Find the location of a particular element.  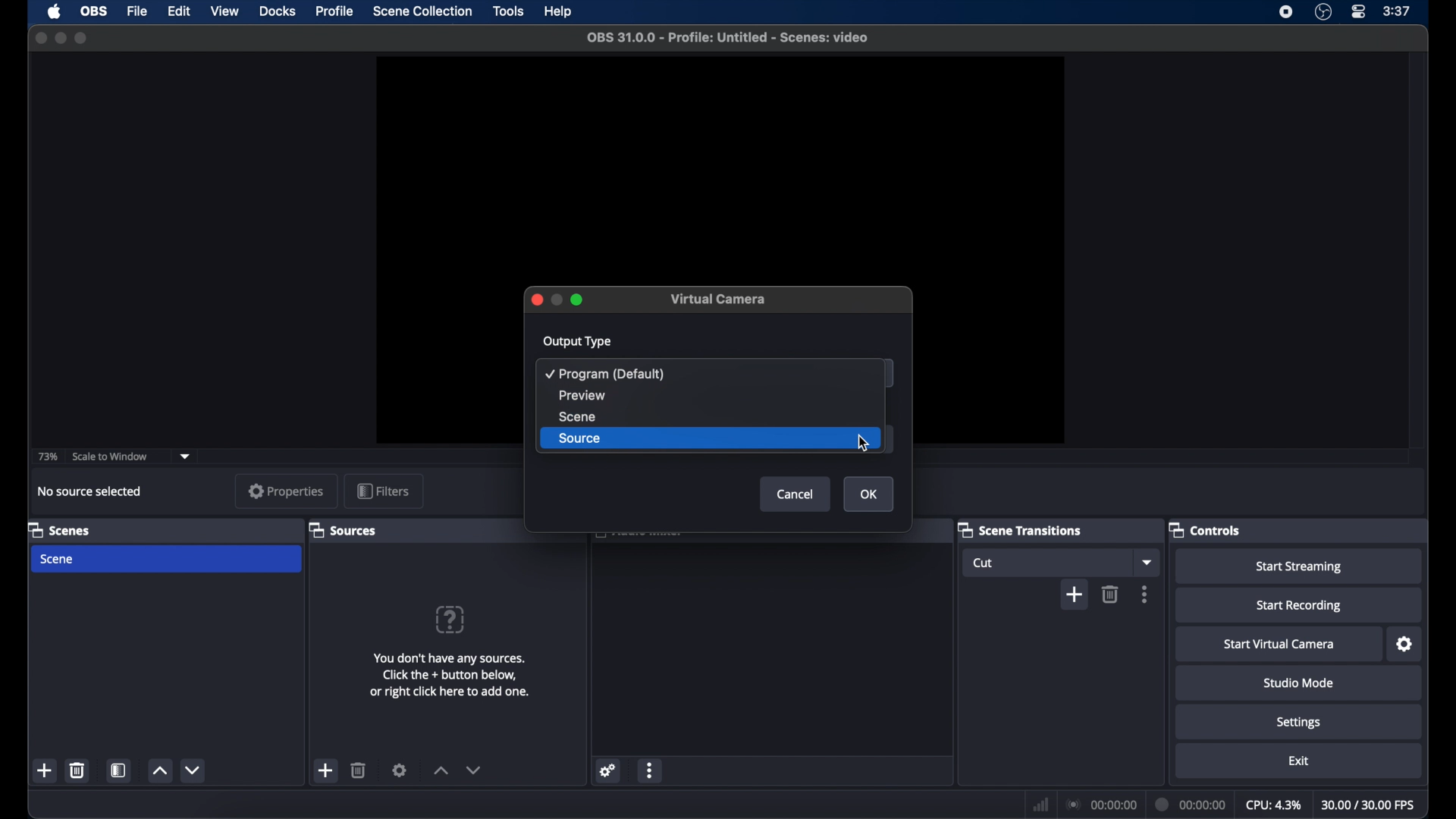

properties is located at coordinates (287, 491).